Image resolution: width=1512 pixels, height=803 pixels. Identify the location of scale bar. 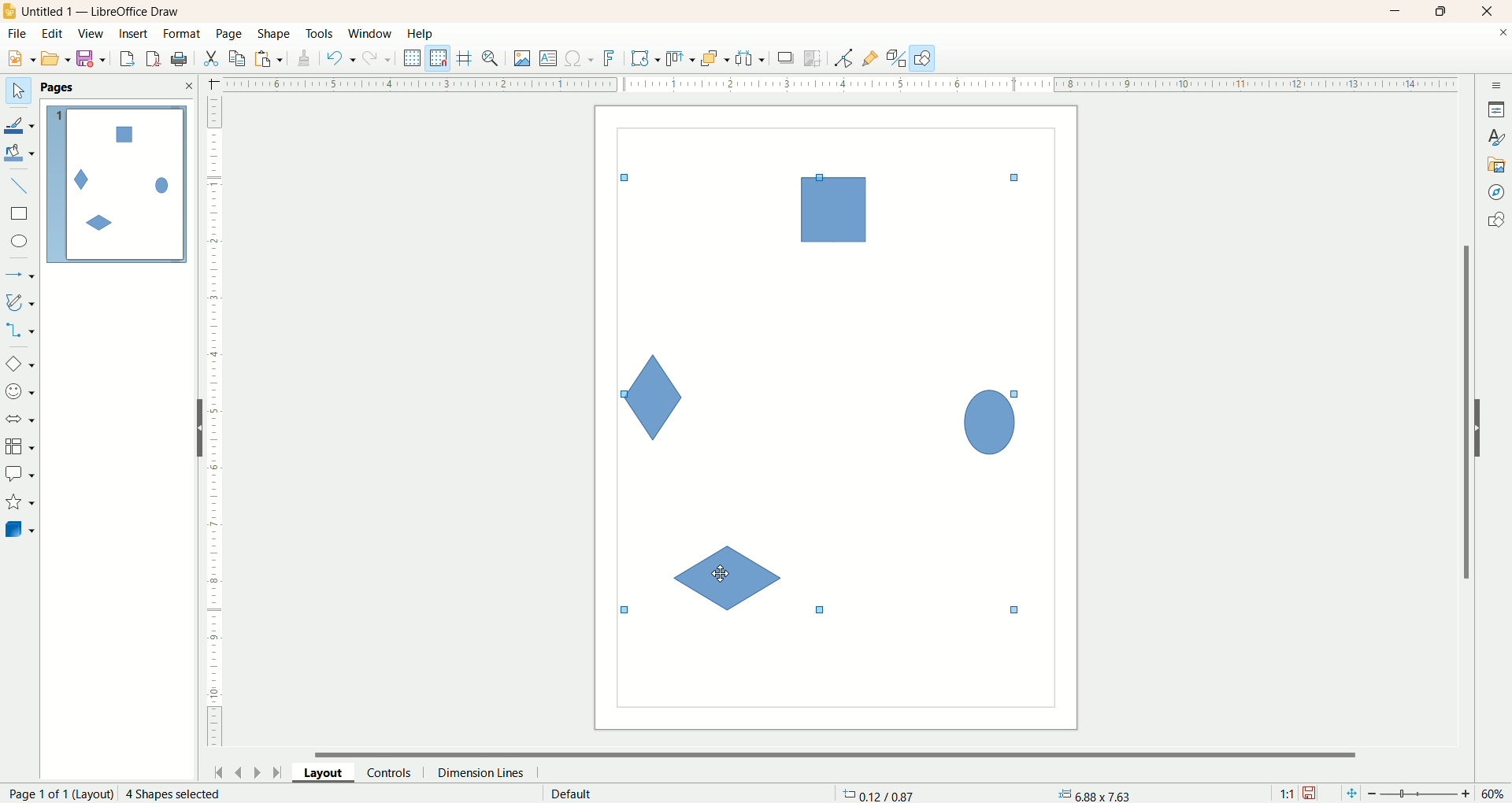
(829, 83).